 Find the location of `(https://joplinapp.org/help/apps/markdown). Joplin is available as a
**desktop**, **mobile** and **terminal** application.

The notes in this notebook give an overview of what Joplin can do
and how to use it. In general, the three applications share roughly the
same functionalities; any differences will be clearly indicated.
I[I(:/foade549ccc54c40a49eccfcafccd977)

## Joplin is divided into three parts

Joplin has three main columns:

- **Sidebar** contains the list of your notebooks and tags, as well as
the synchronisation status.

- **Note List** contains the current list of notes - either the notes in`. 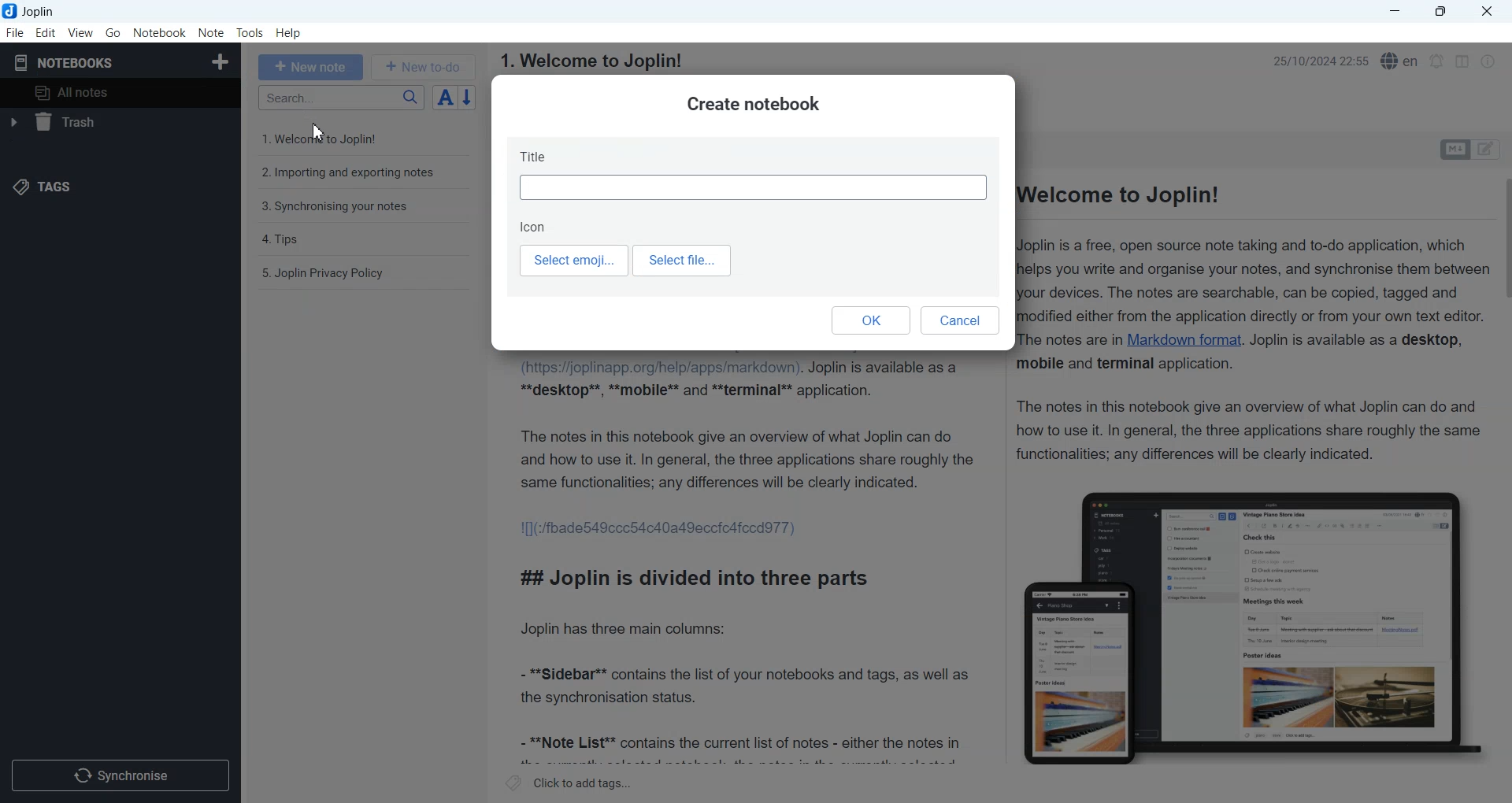

(https://joplinapp.org/help/apps/markdown). Joplin is available as a
**desktop**, **mobile** and **terminal** application.

The notes in this notebook give an overview of what Joplin can do
and how to use it. In general, the three applications share roughly the
same functionalities; any differences will be clearly indicated.
I[I(:/foade549ccc54c40a49eccfcafccd977)

## Joplin is divided into three parts

Joplin has three main columns:

- **Sidebar** contains the list of your notebooks and tags, as well as
the synchronisation status.

- **Note List** contains the current list of notes - either the notes in is located at coordinates (747, 561).